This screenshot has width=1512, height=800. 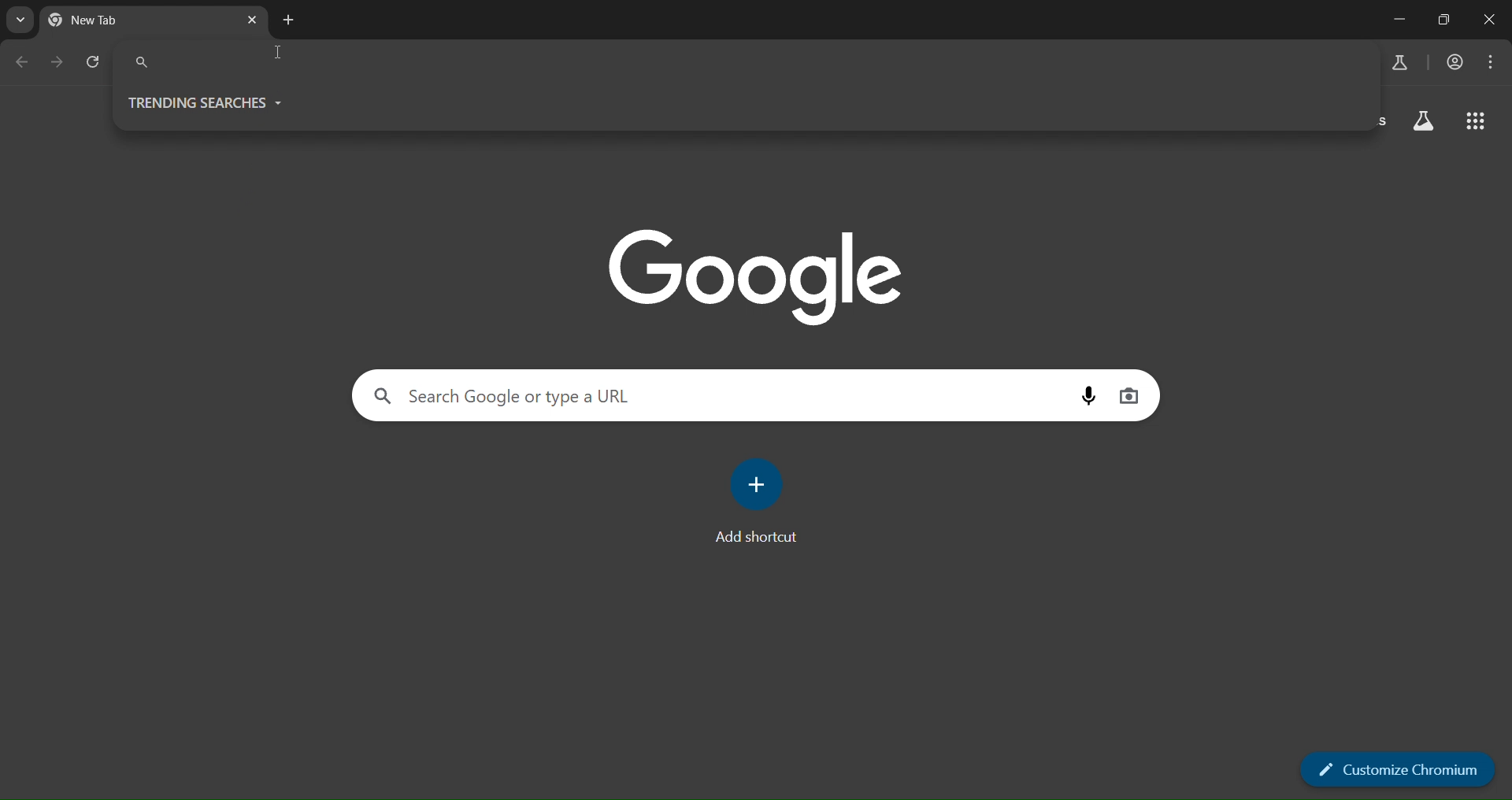 I want to click on image search, so click(x=1128, y=394).